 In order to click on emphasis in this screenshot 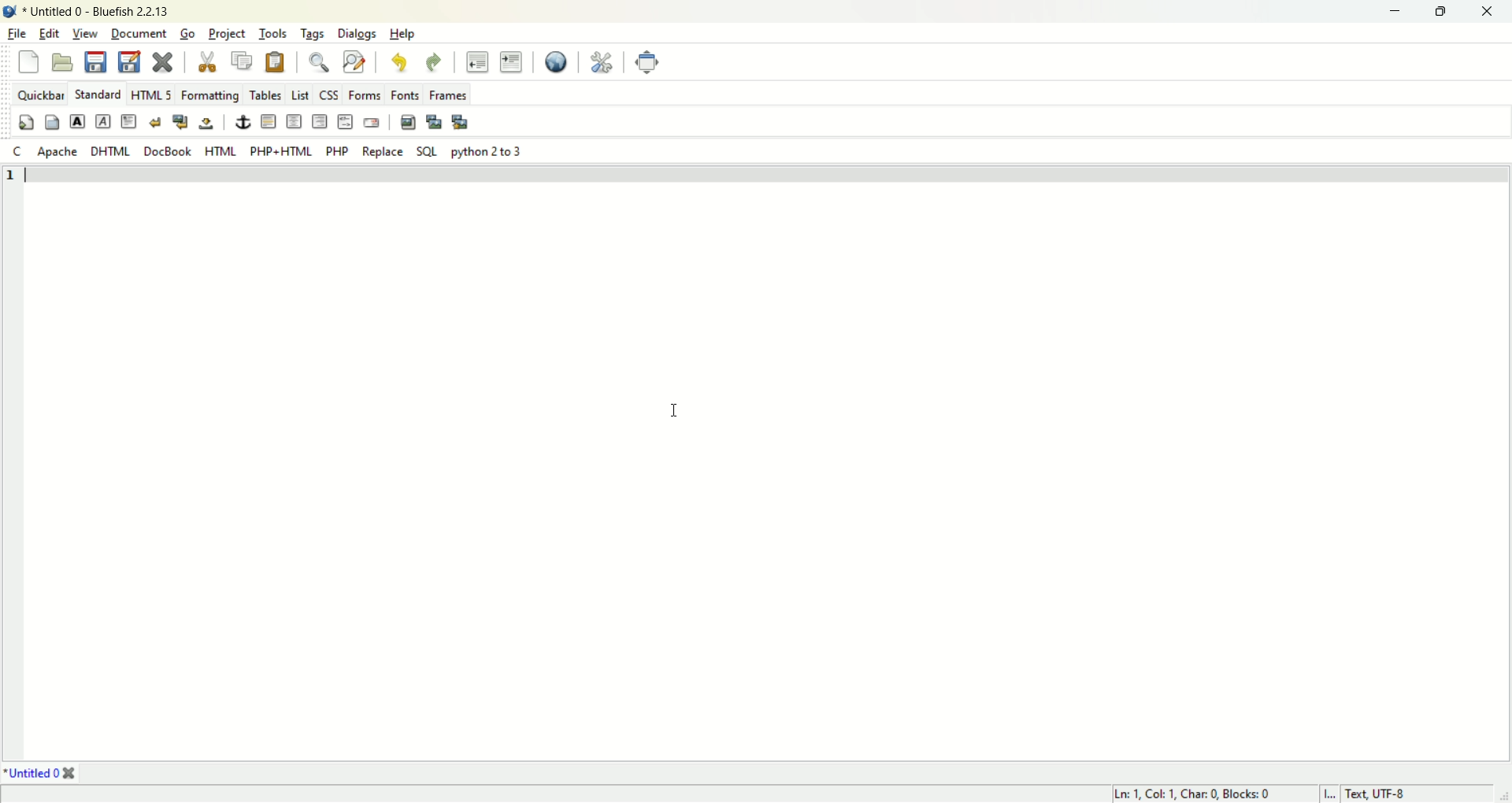, I will do `click(104, 122)`.